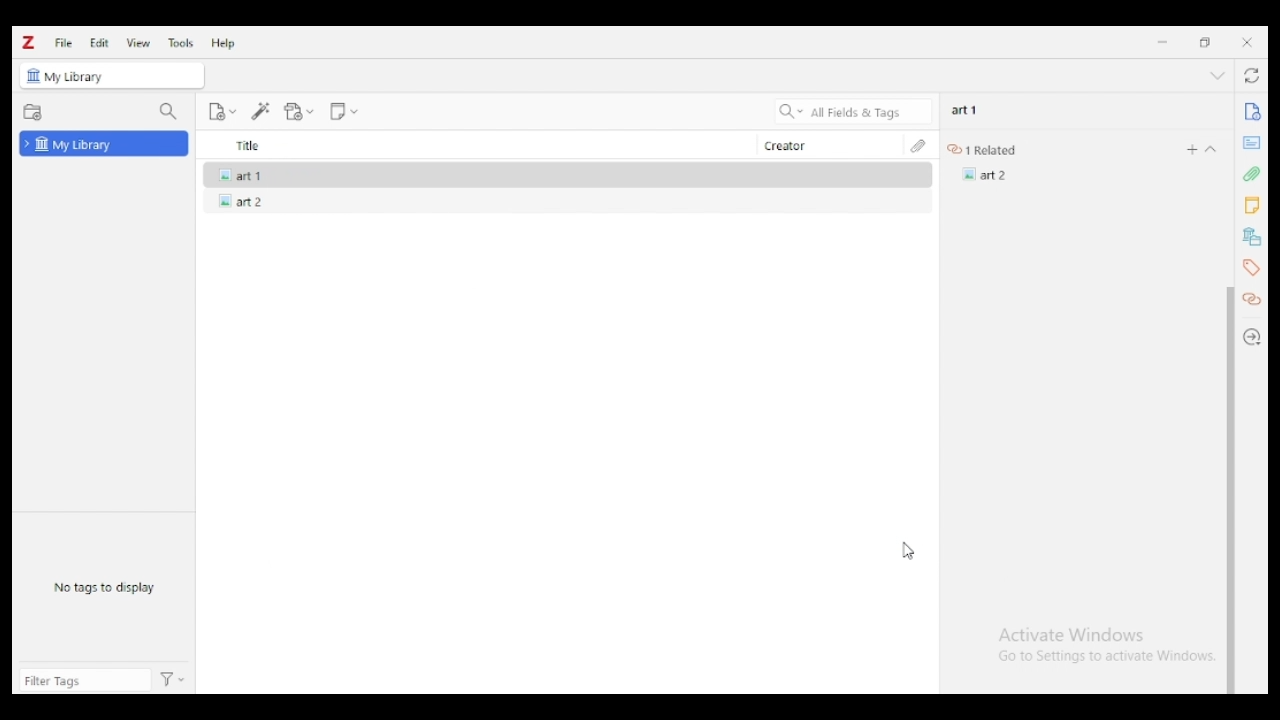 This screenshot has height=720, width=1280. I want to click on view, so click(139, 43).